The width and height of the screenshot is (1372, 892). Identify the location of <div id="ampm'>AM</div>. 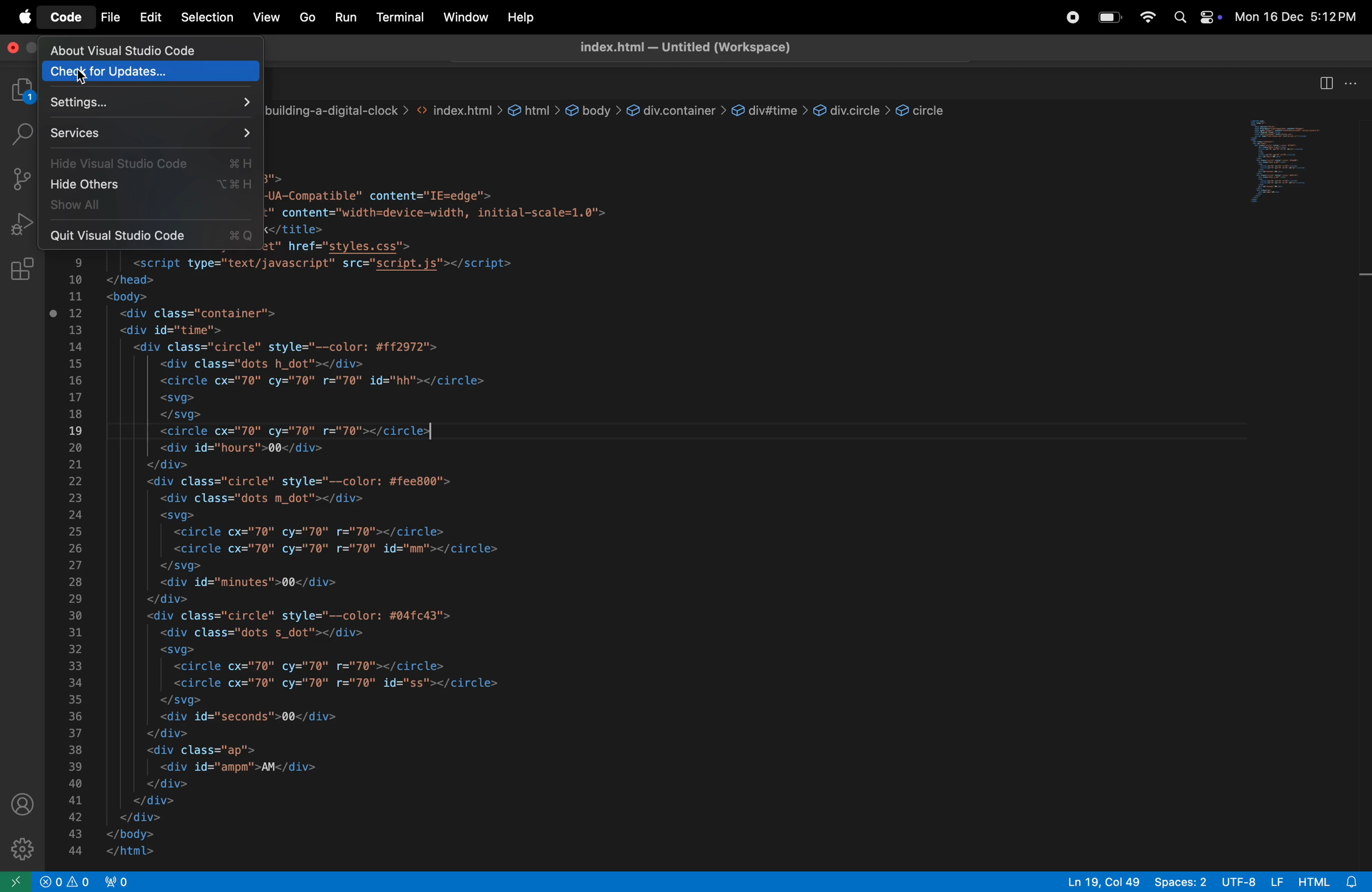
(242, 766).